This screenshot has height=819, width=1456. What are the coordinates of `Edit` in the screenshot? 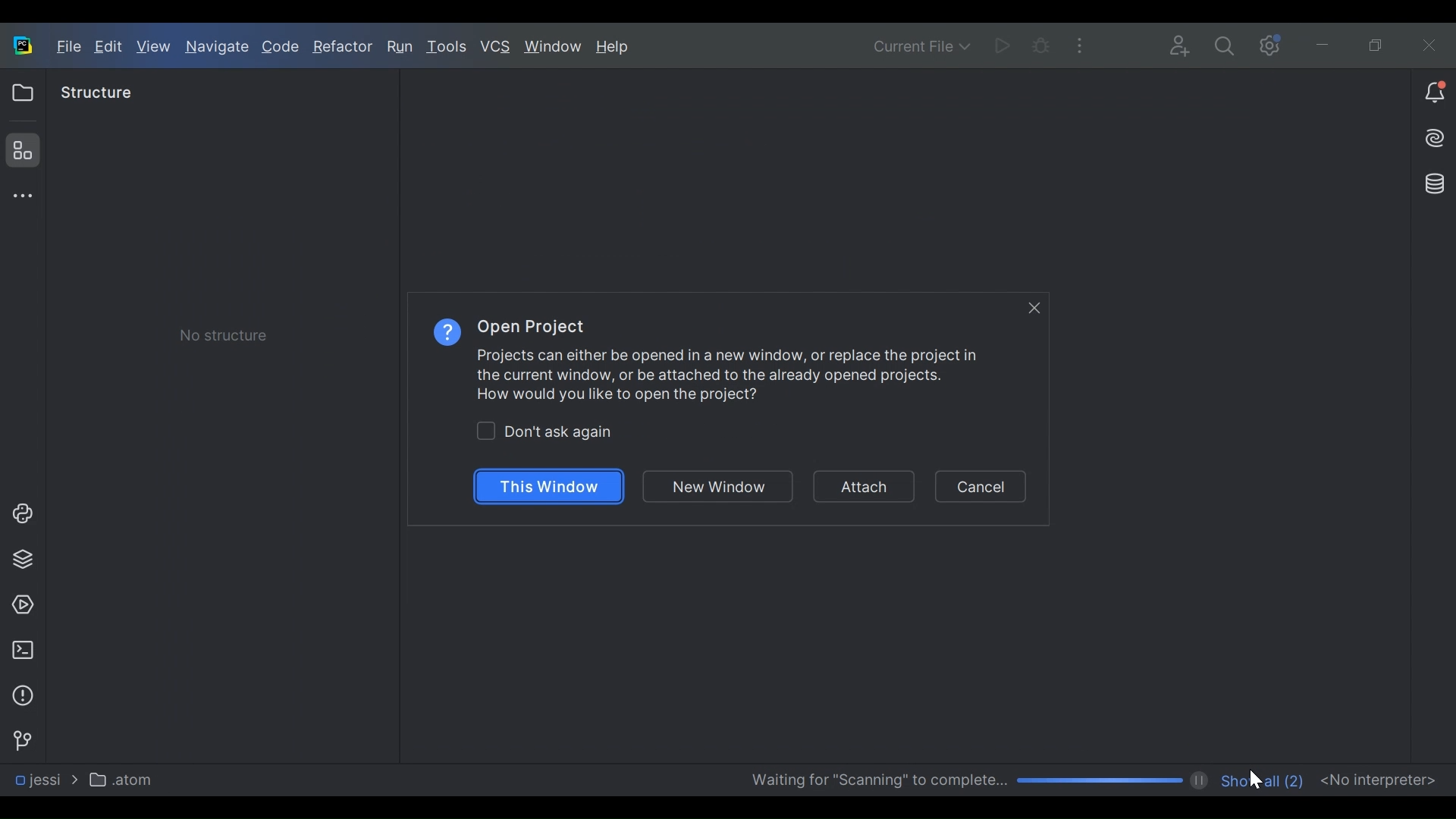 It's located at (110, 48).